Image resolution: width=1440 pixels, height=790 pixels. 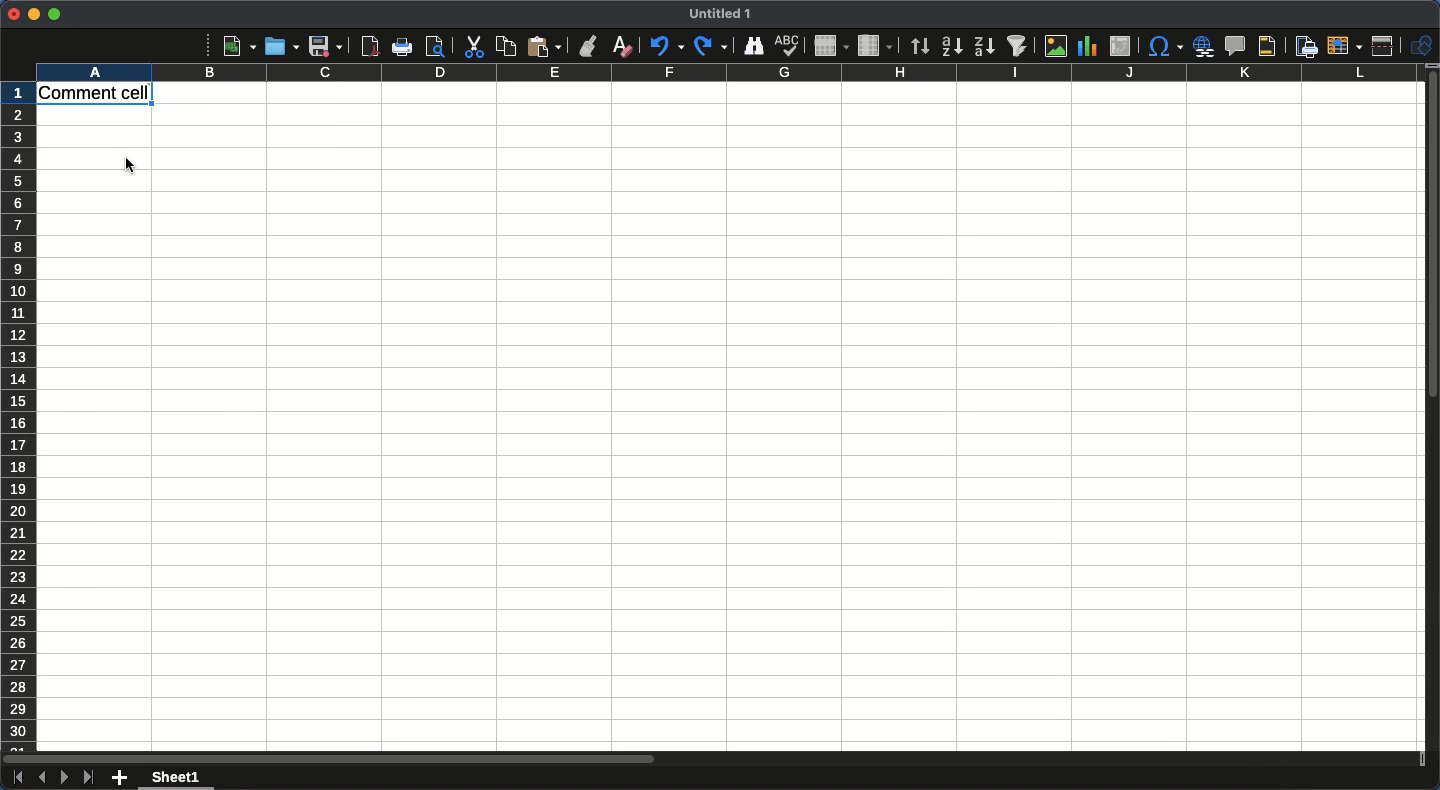 What do you see at coordinates (982, 45) in the screenshot?
I see `Descending` at bounding box center [982, 45].